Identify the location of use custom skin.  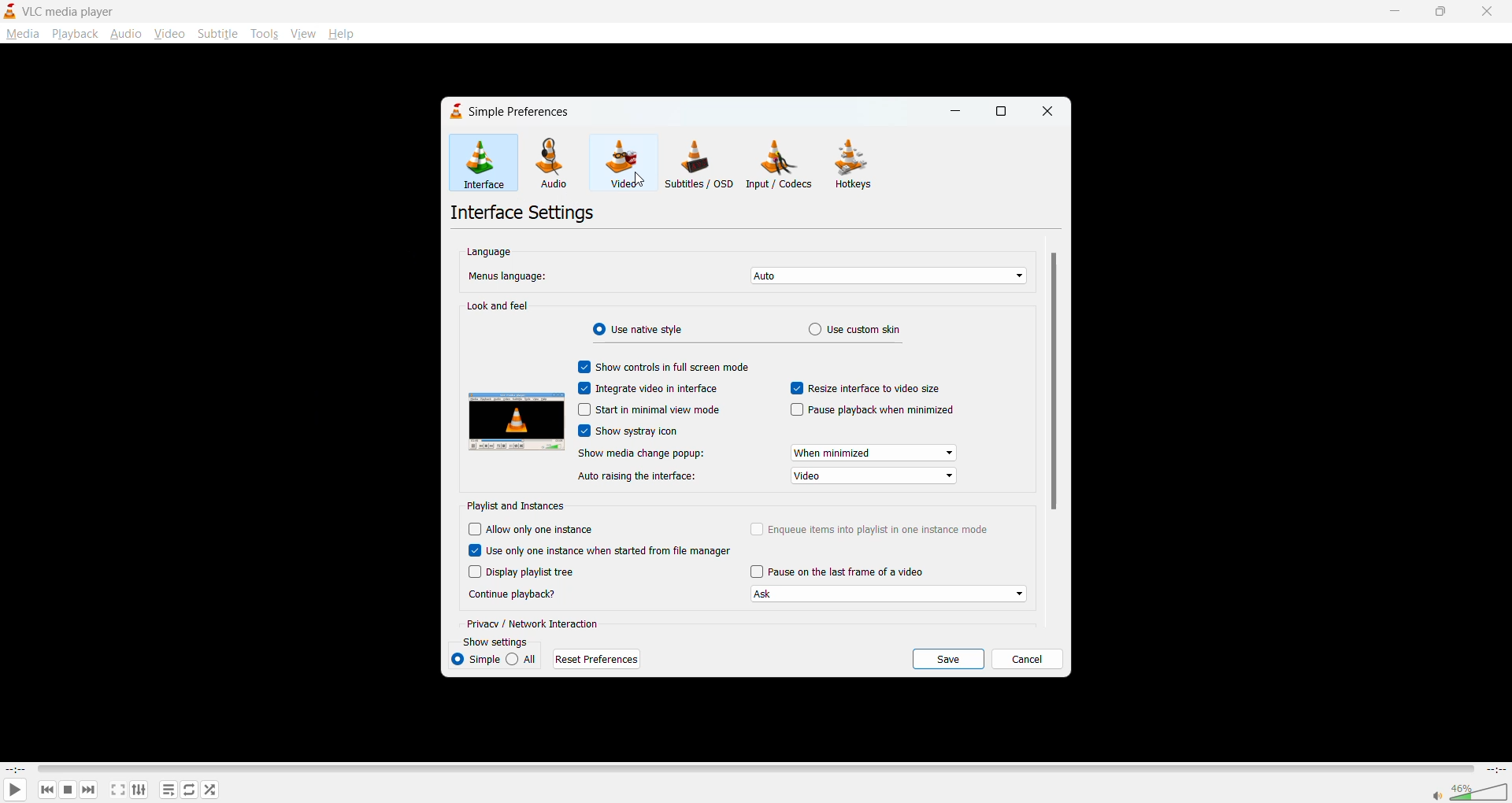
(853, 331).